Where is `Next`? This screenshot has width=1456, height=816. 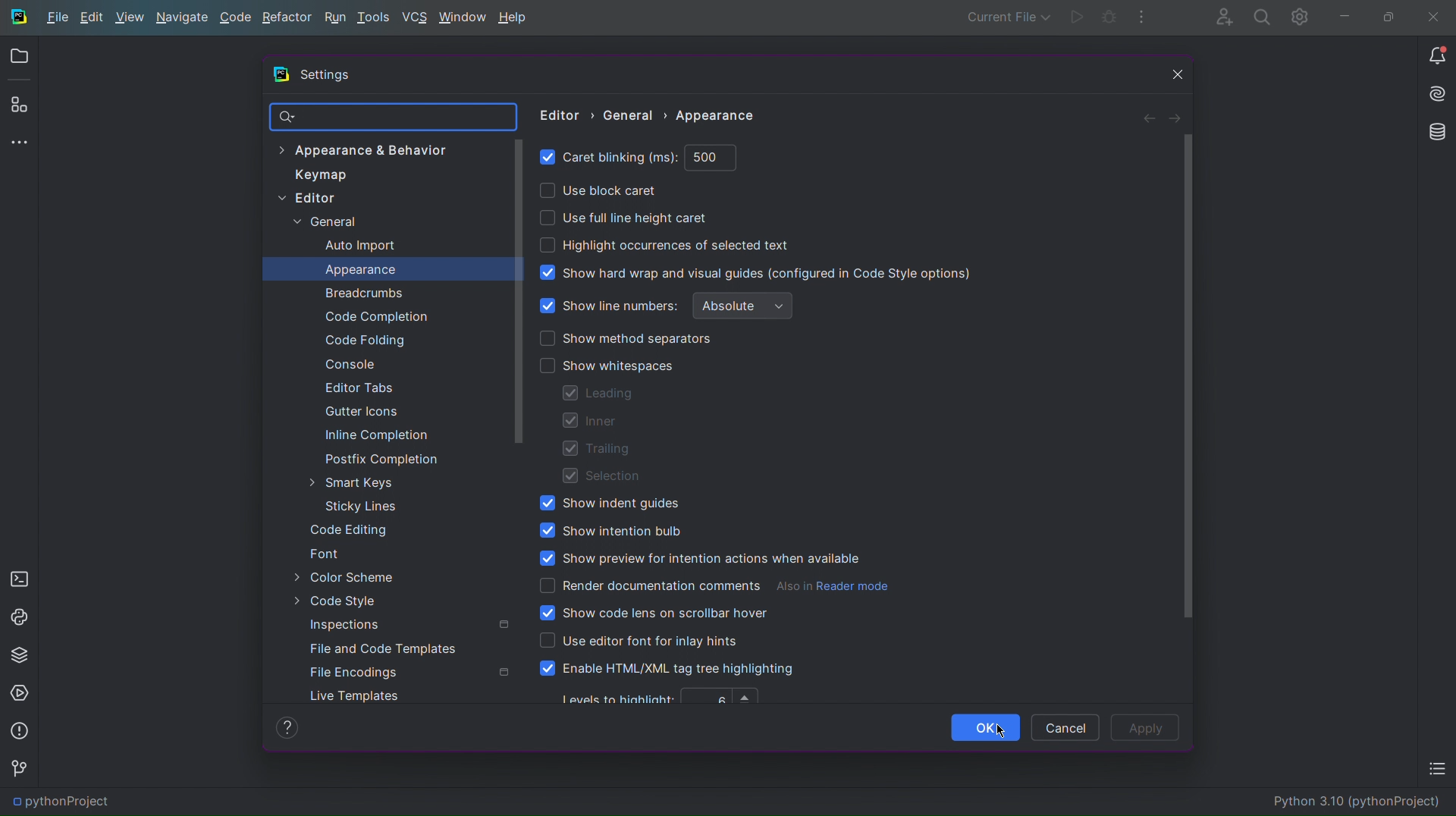 Next is located at coordinates (1175, 118).